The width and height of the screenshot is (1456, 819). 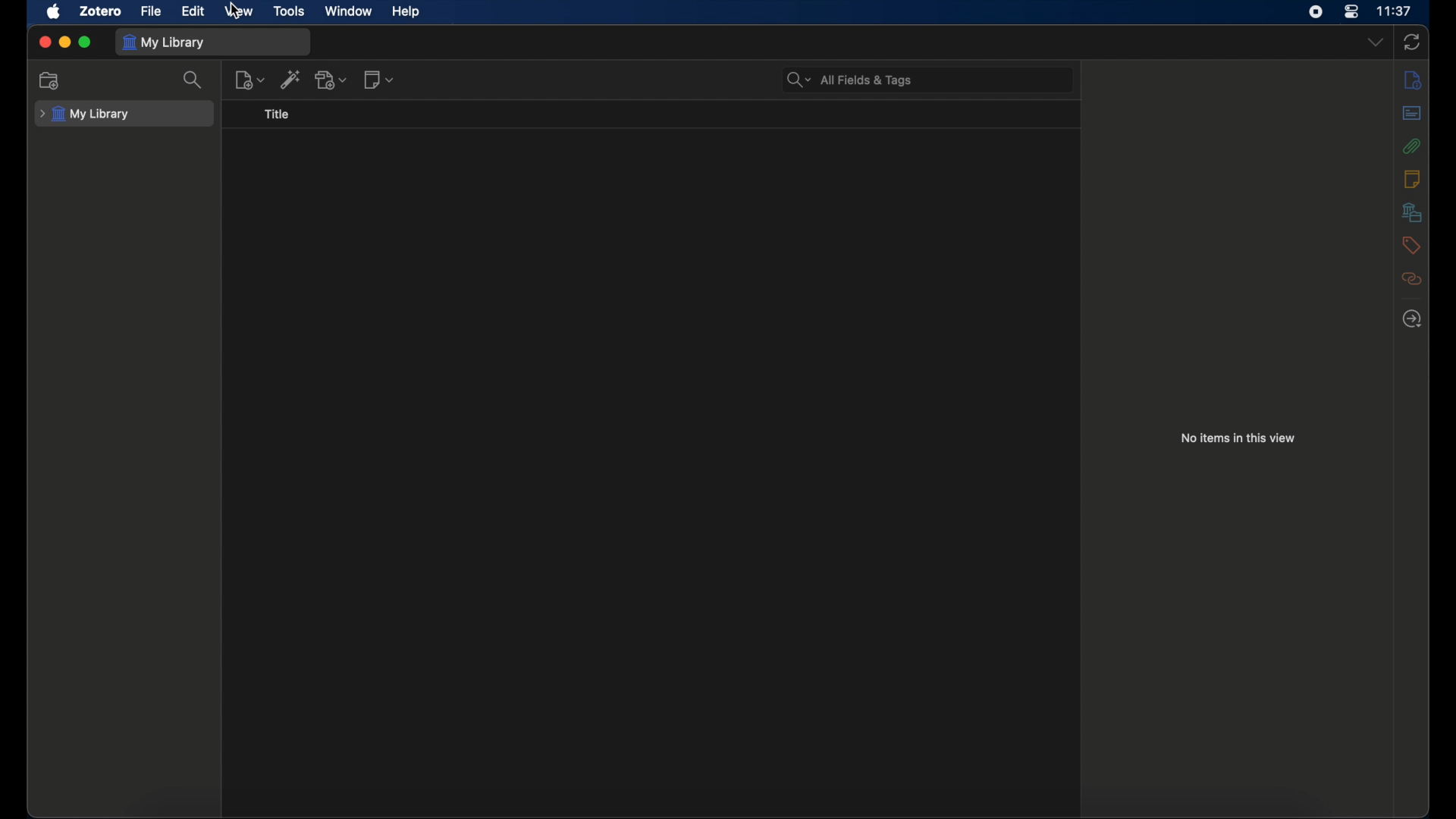 I want to click on time, so click(x=1396, y=11).